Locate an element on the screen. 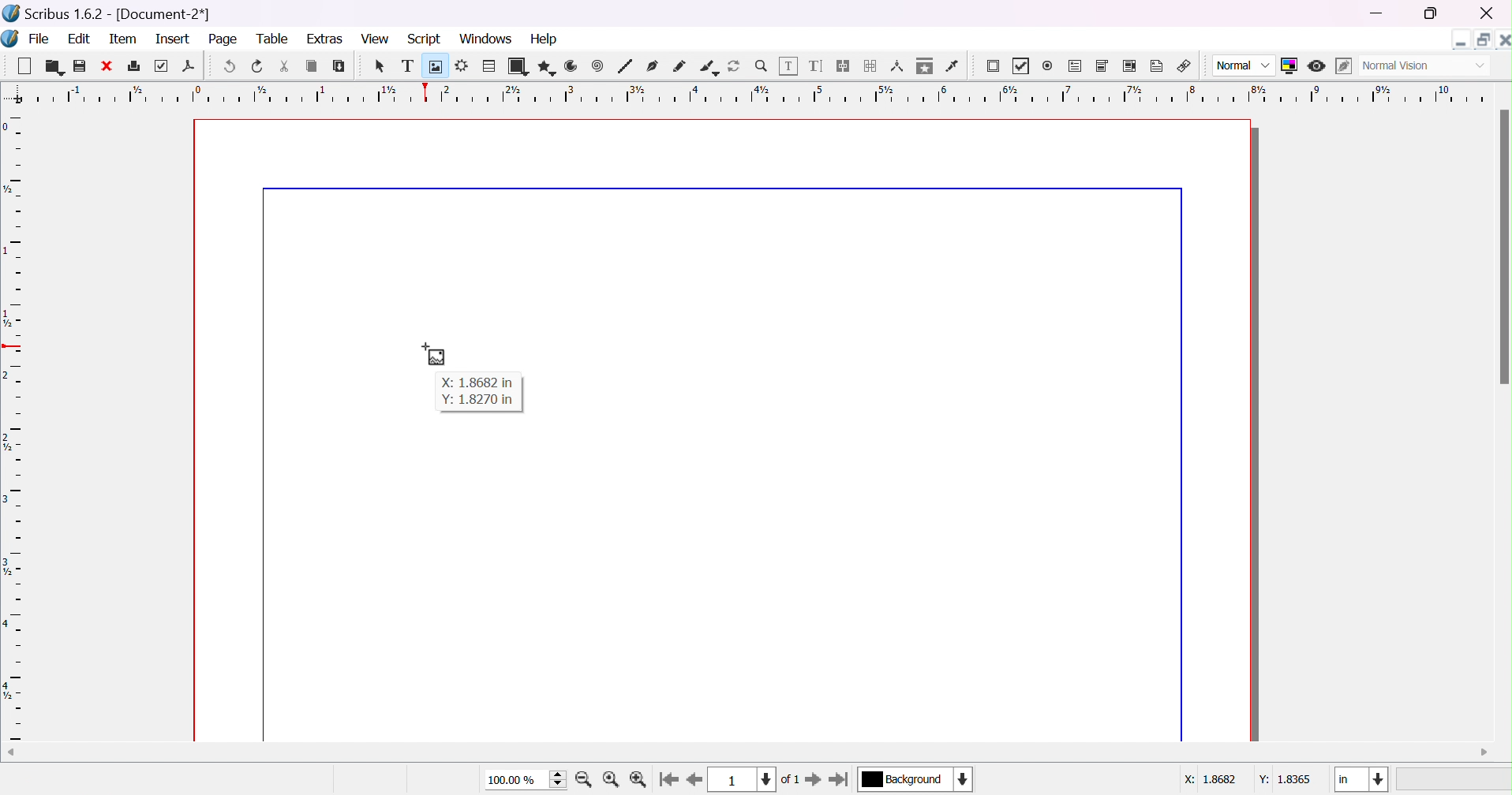 The image size is (1512, 795). new is located at coordinates (22, 64).